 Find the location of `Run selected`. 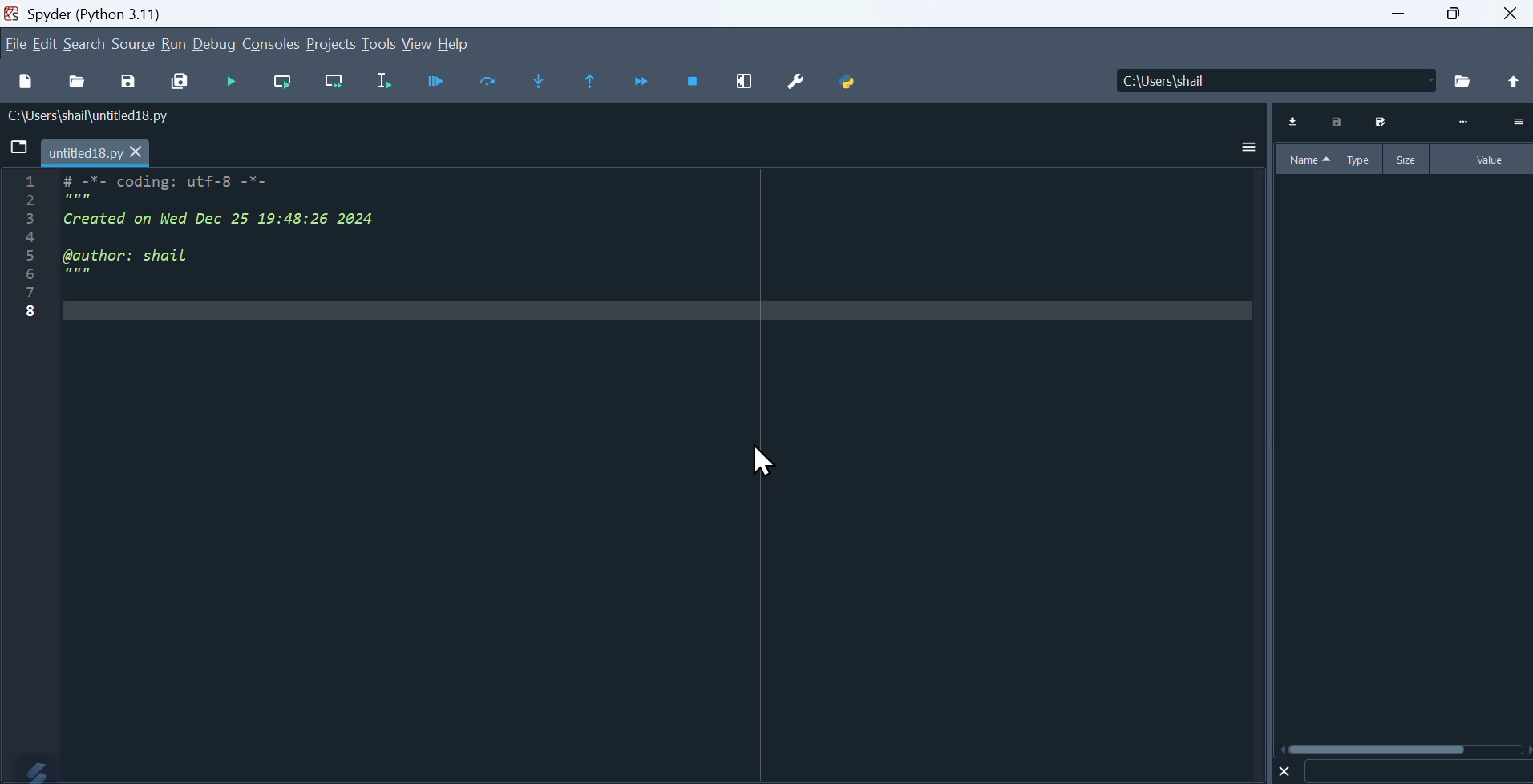

Run selected is located at coordinates (384, 82).